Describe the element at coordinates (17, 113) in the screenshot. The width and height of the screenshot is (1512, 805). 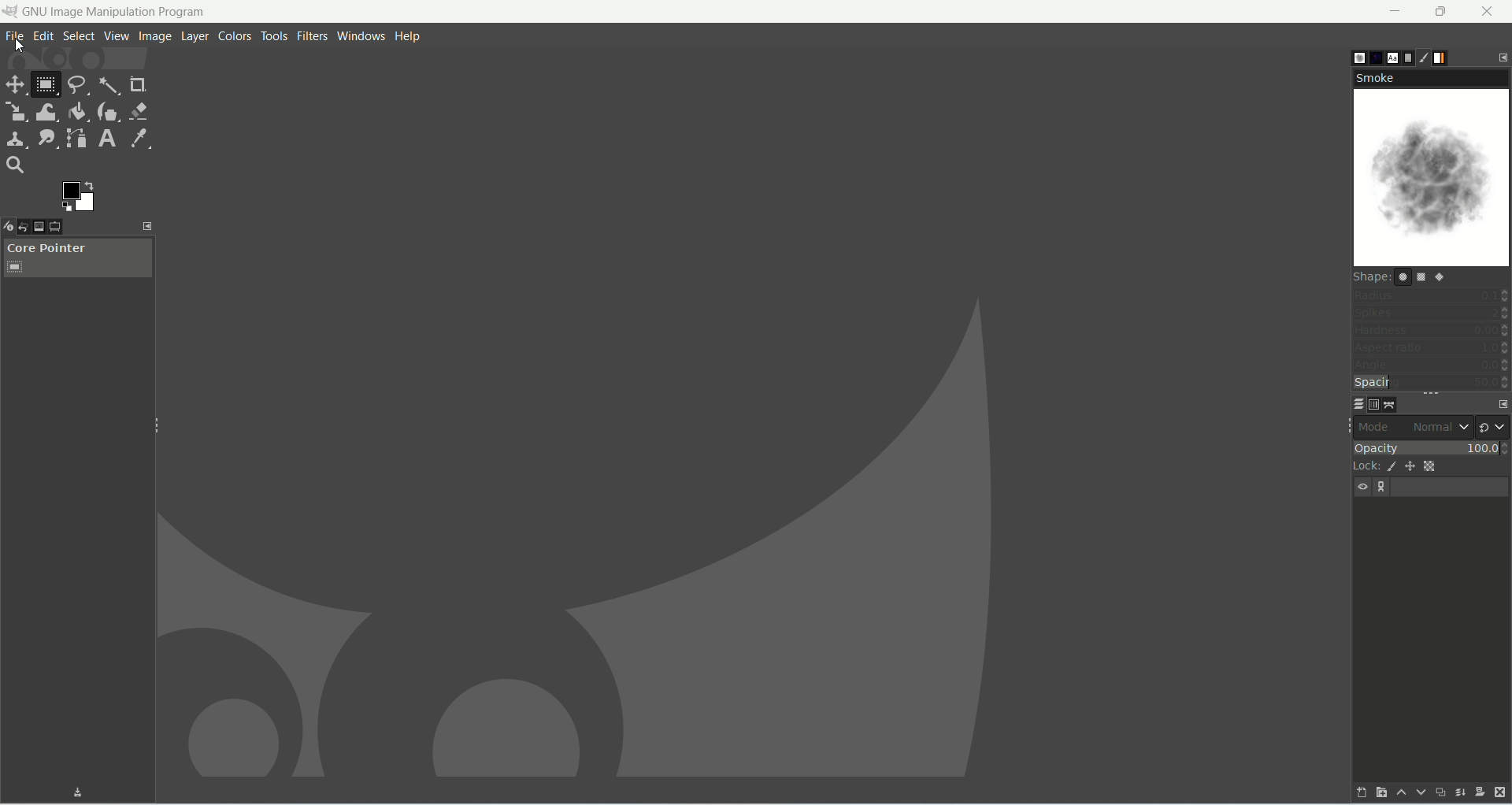
I see `scale tool` at that location.